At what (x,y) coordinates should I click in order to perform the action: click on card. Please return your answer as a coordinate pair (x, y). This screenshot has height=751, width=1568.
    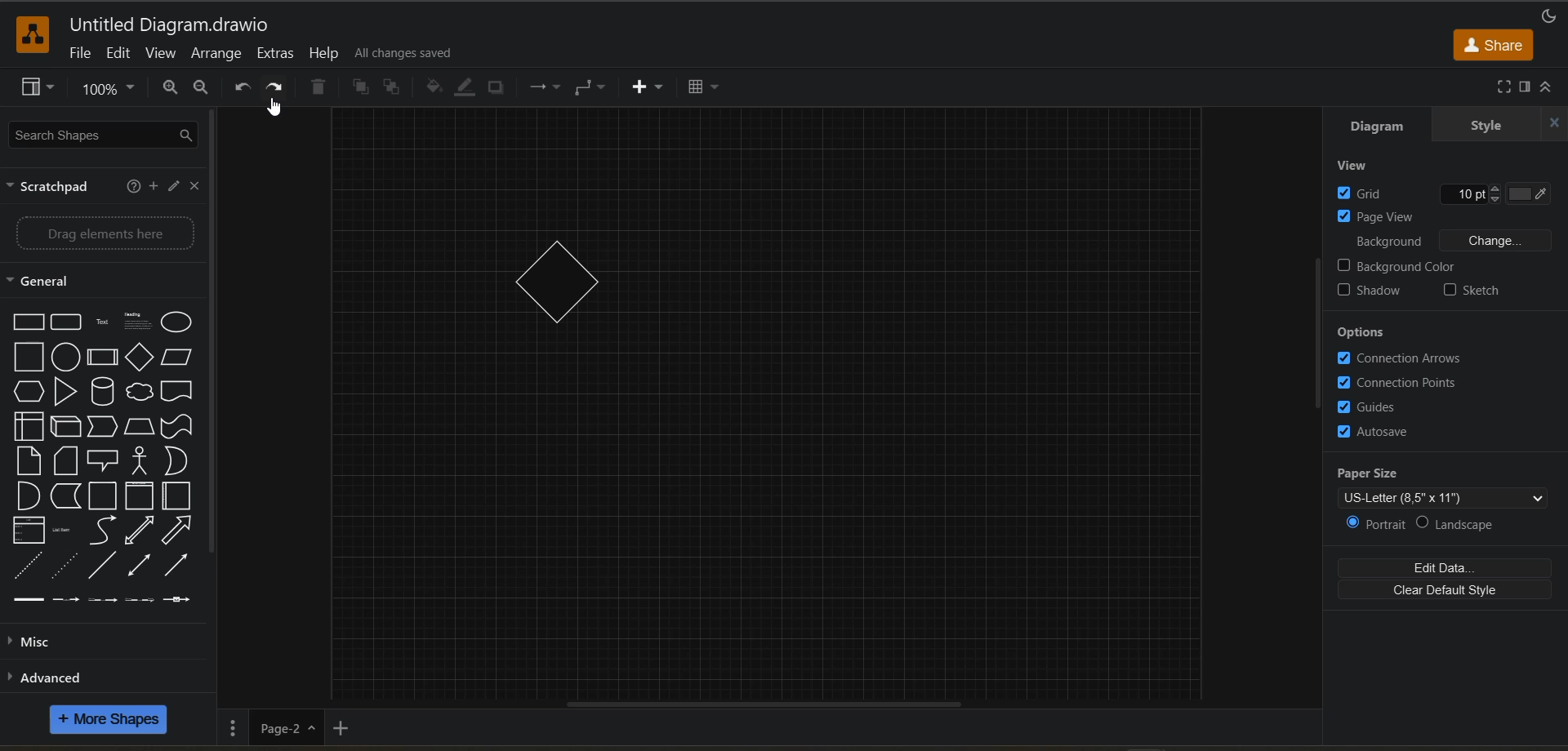
    Looking at the image, I should click on (69, 461).